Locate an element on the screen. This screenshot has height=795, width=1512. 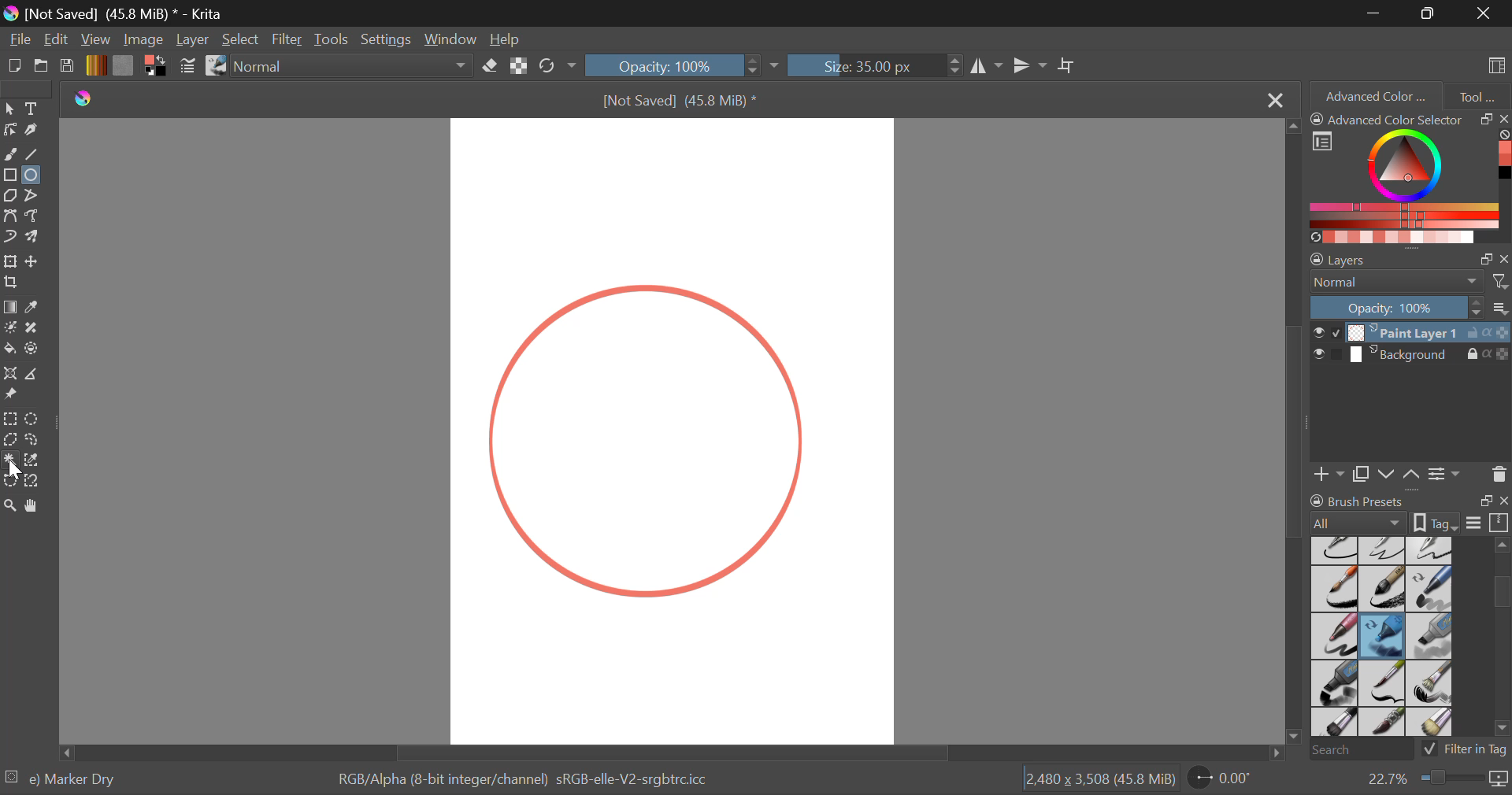
Horizontal Mirror Tool is located at coordinates (986, 65).